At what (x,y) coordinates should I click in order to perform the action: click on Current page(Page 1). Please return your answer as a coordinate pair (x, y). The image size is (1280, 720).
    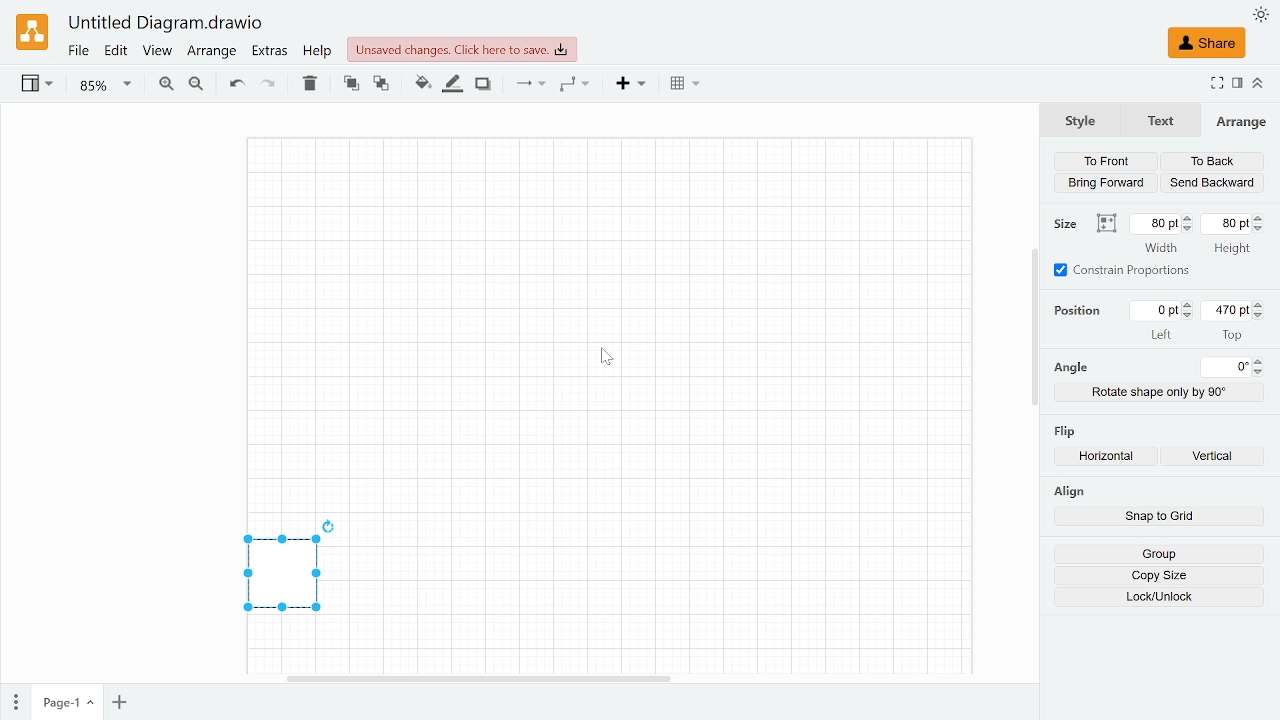
    Looking at the image, I should click on (65, 702).